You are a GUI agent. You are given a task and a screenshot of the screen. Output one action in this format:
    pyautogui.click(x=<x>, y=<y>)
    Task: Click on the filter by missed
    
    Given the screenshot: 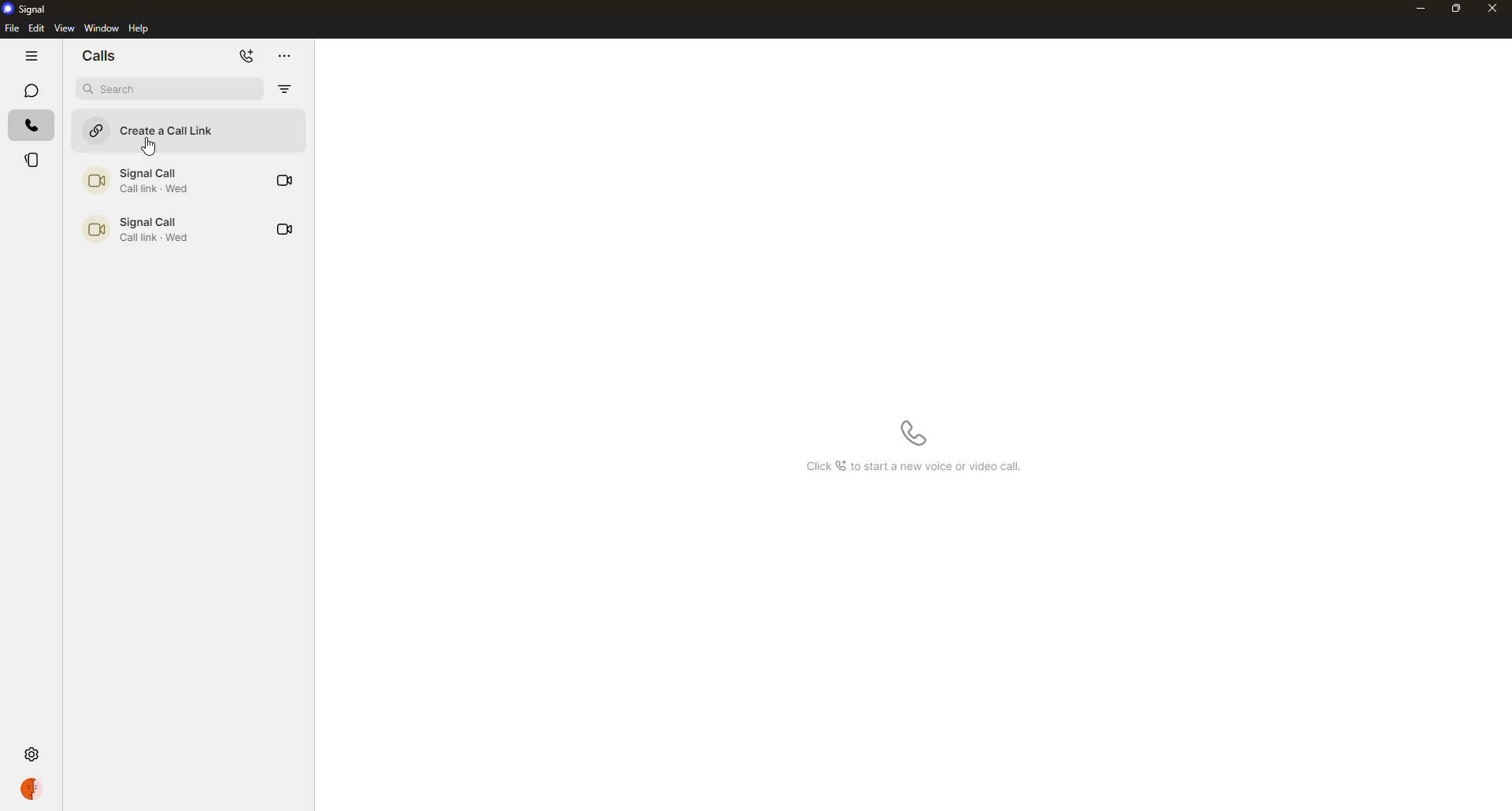 What is the action you would take?
    pyautogui.click(x=284, y=89)
    